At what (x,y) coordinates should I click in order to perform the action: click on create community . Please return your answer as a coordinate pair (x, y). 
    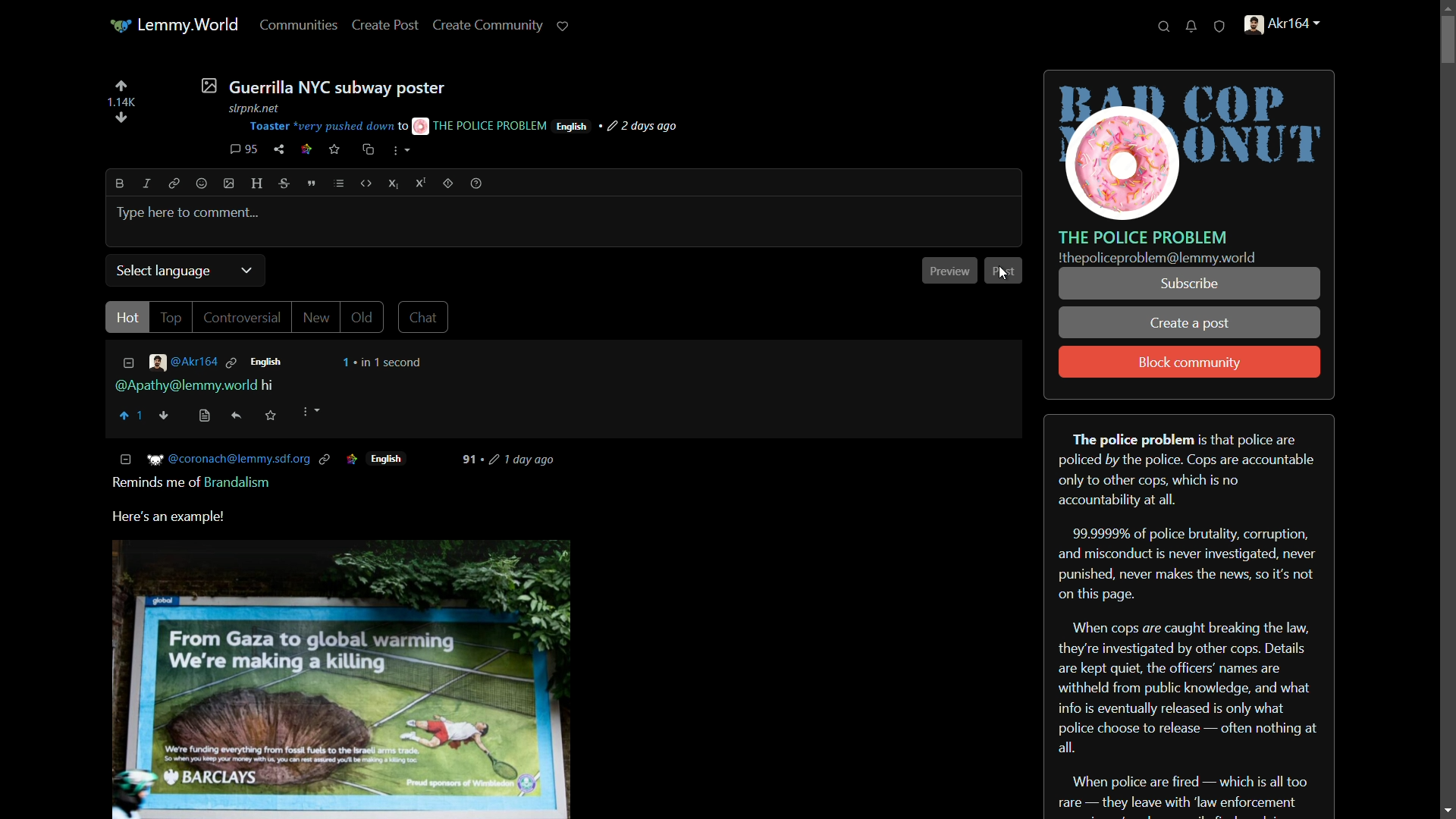
    Looking at the image, I should click on (491, 24).